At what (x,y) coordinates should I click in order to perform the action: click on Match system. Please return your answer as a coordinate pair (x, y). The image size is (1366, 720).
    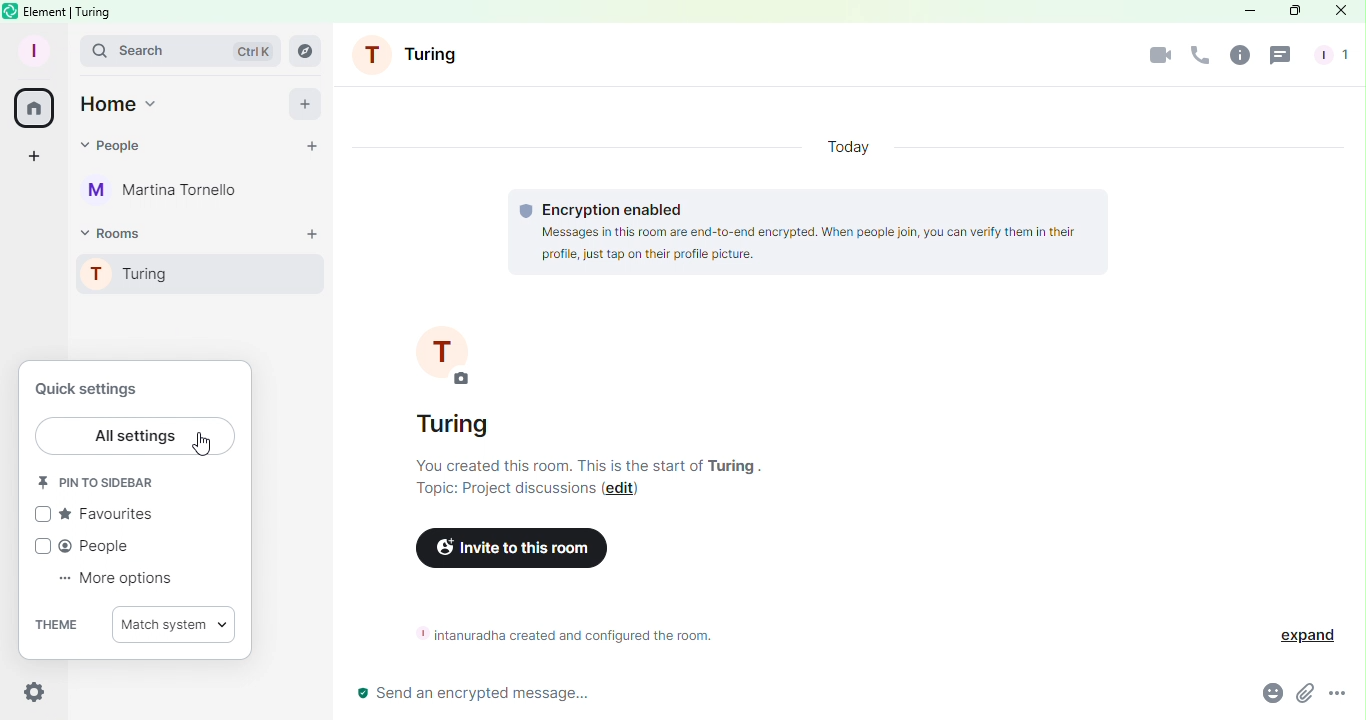
    Looking at the image, I should click on (172, 626).